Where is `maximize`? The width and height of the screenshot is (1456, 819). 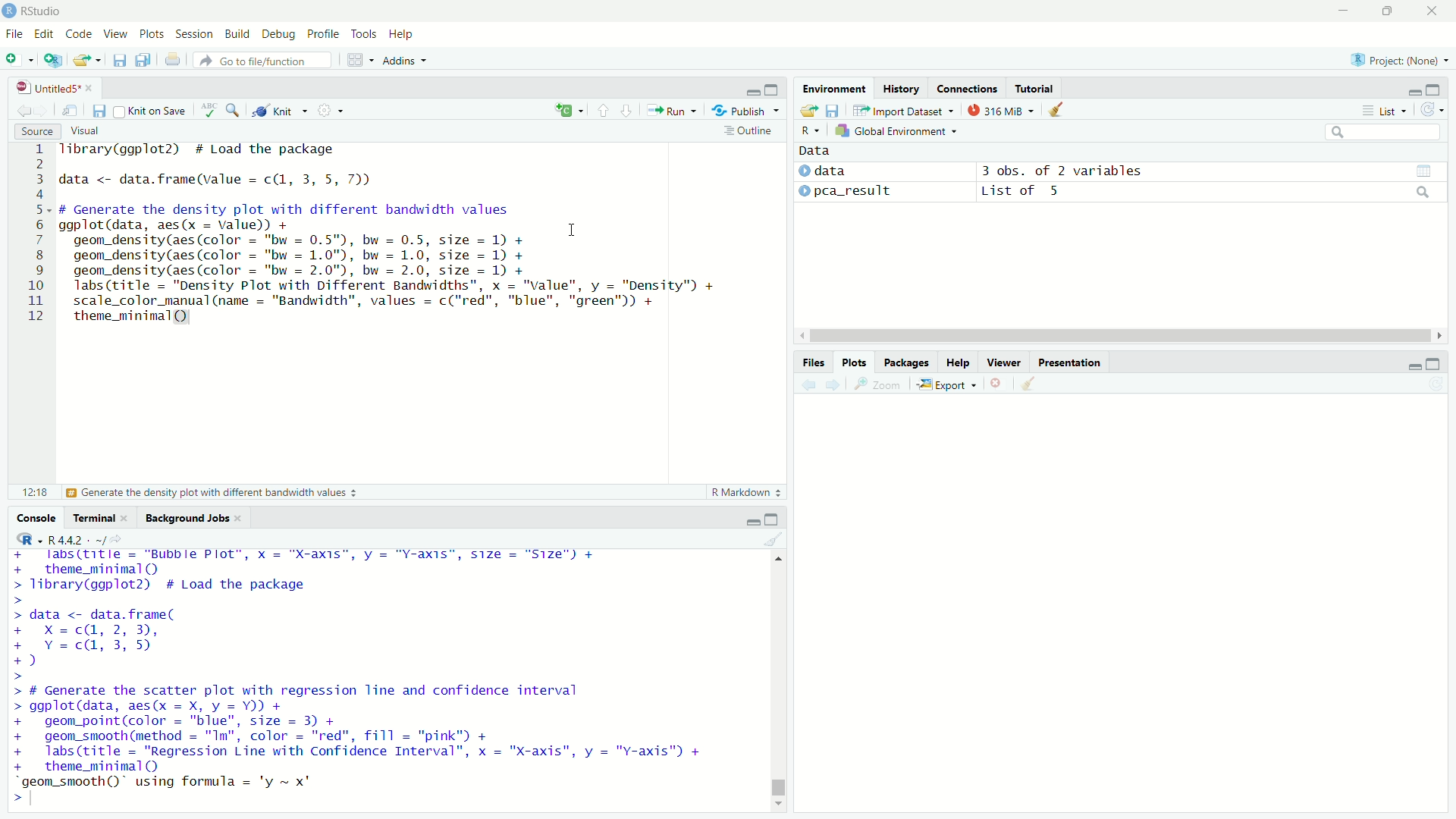
maximize is located at coordinates (1434, 363).